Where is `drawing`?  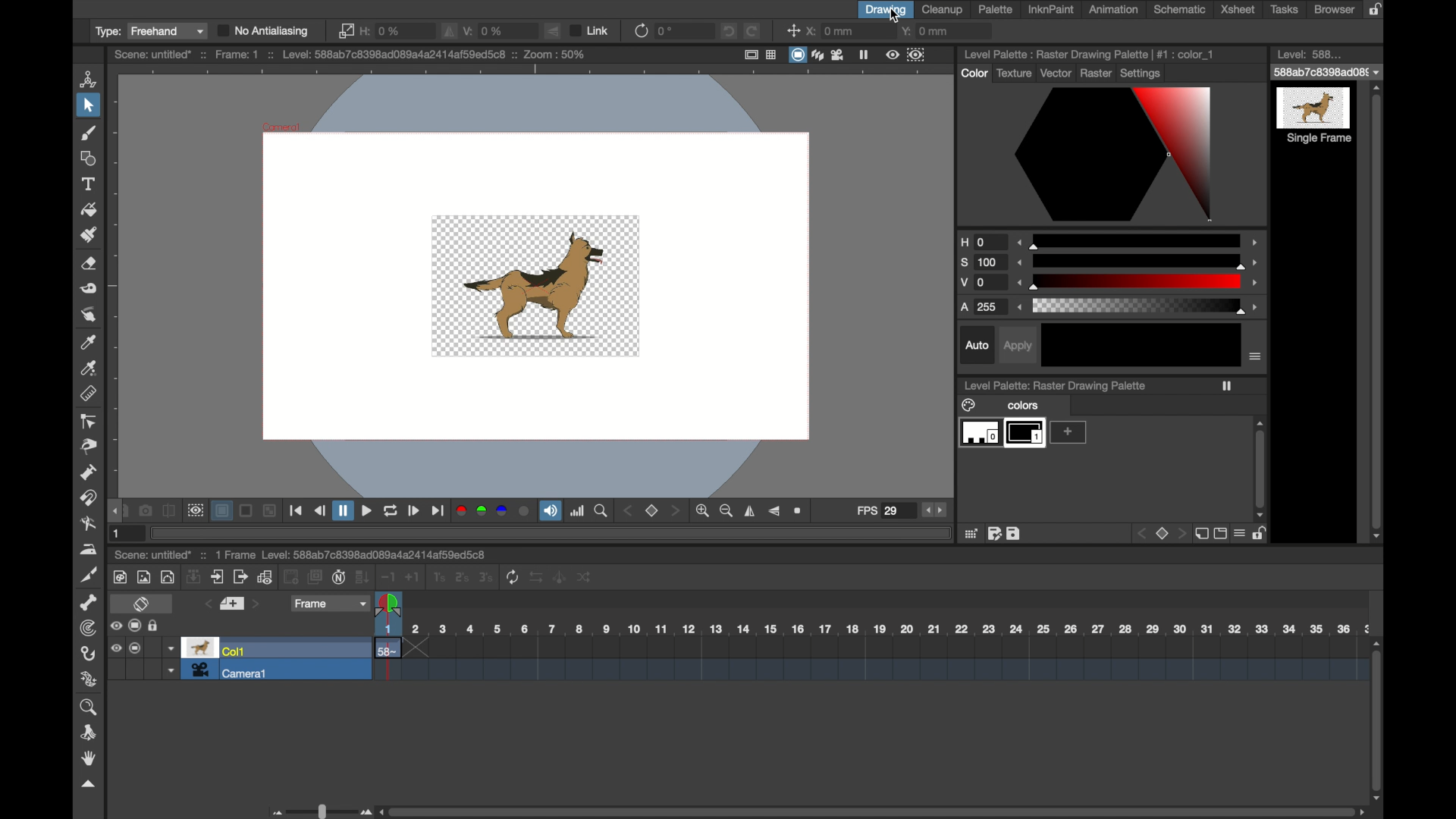 drawing is located at coordinates (886, 10).